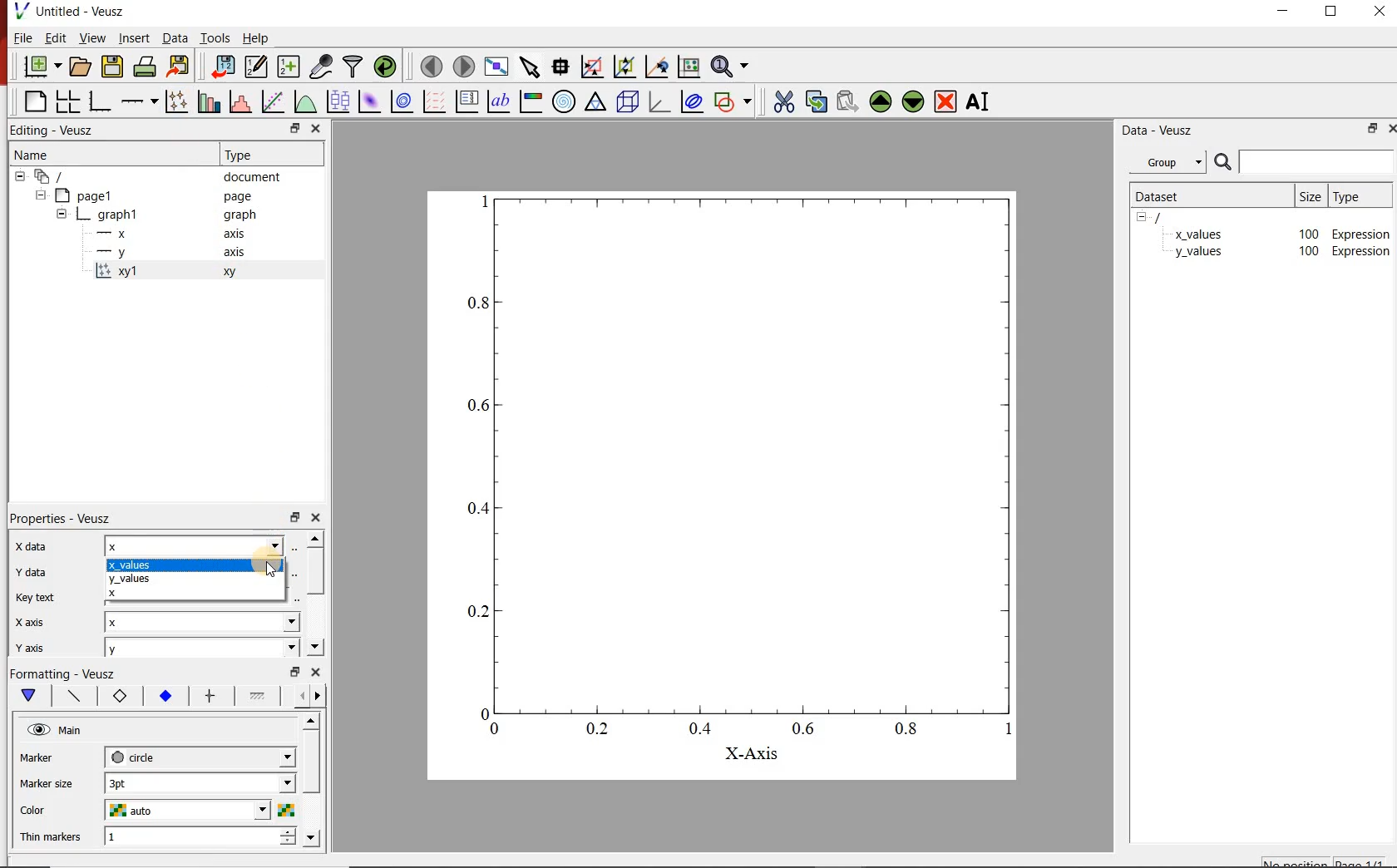 This screenshot has height=868, width=1397. Describe the element at coordinates (1330, 12) in the screenshot. I see `restore down` at that location.